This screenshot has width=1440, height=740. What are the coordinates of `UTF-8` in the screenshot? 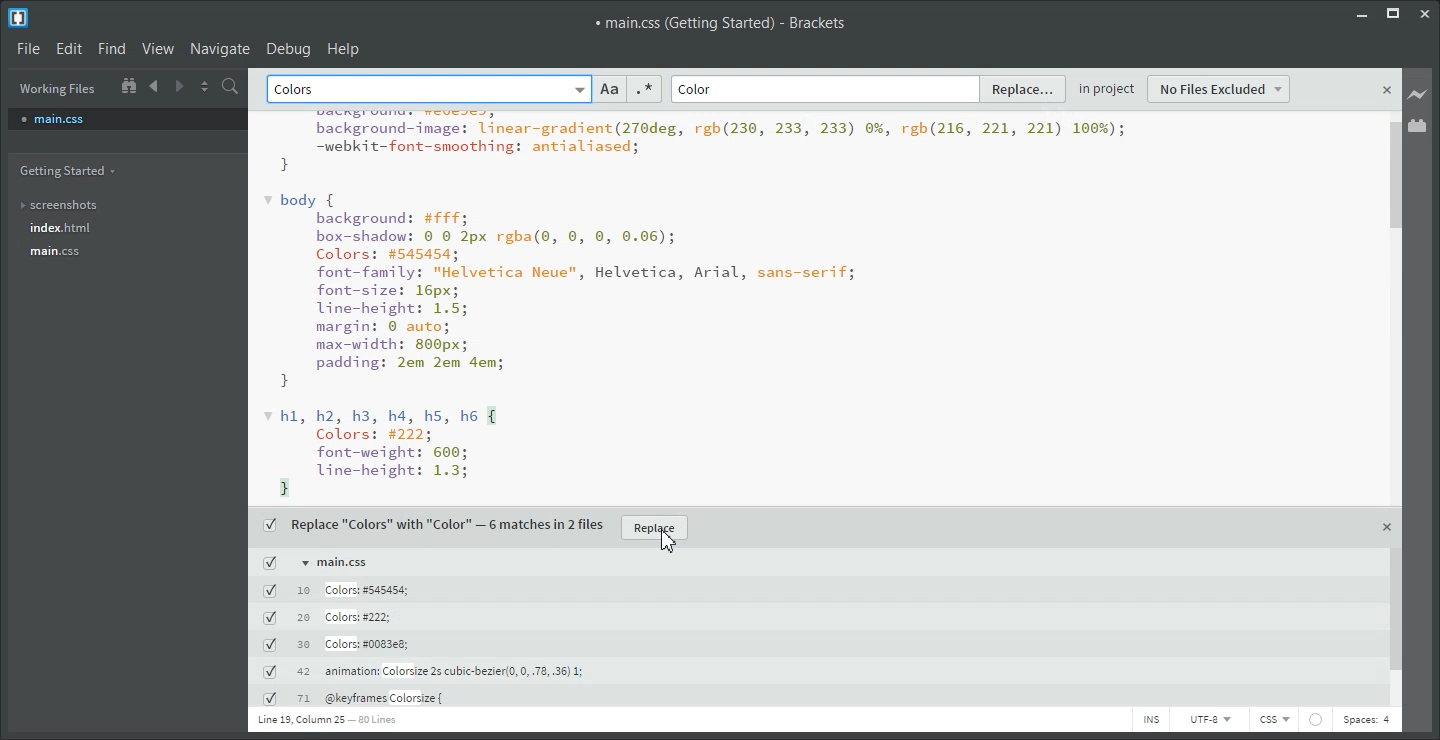 It's located at (1208, 719).